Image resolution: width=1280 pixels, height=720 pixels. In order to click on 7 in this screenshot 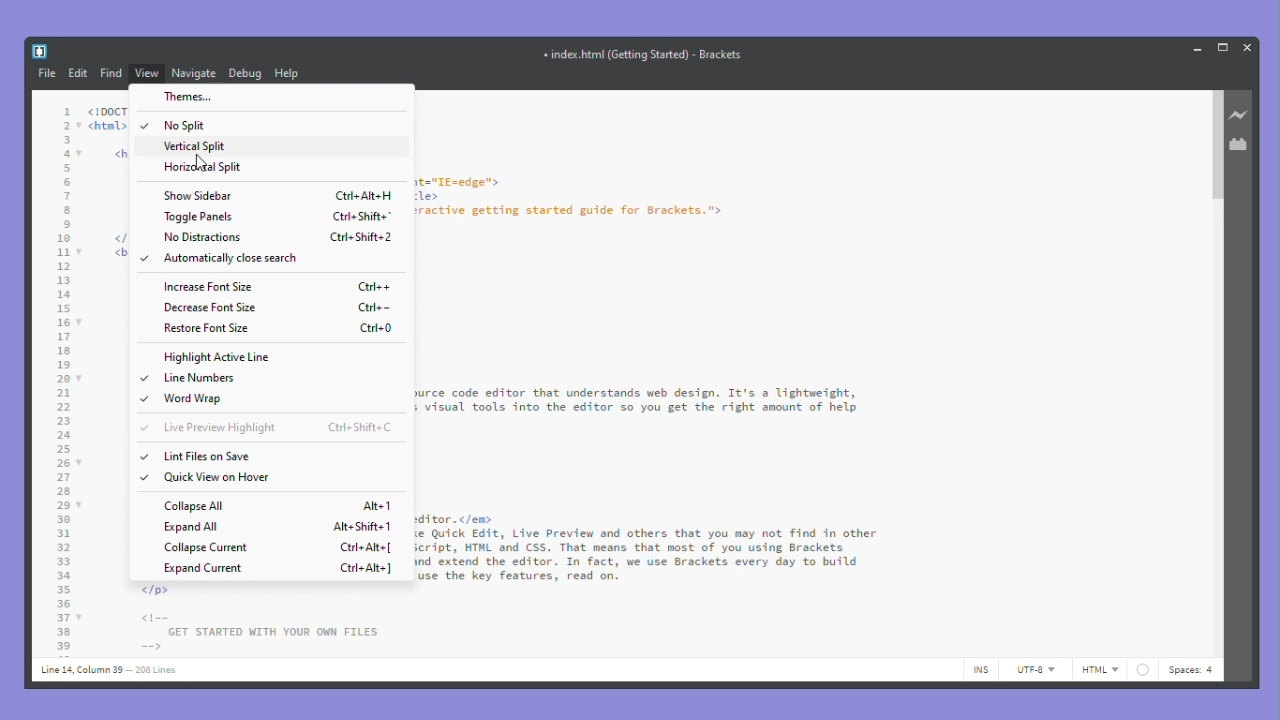, I will do `click(68, 196)`.